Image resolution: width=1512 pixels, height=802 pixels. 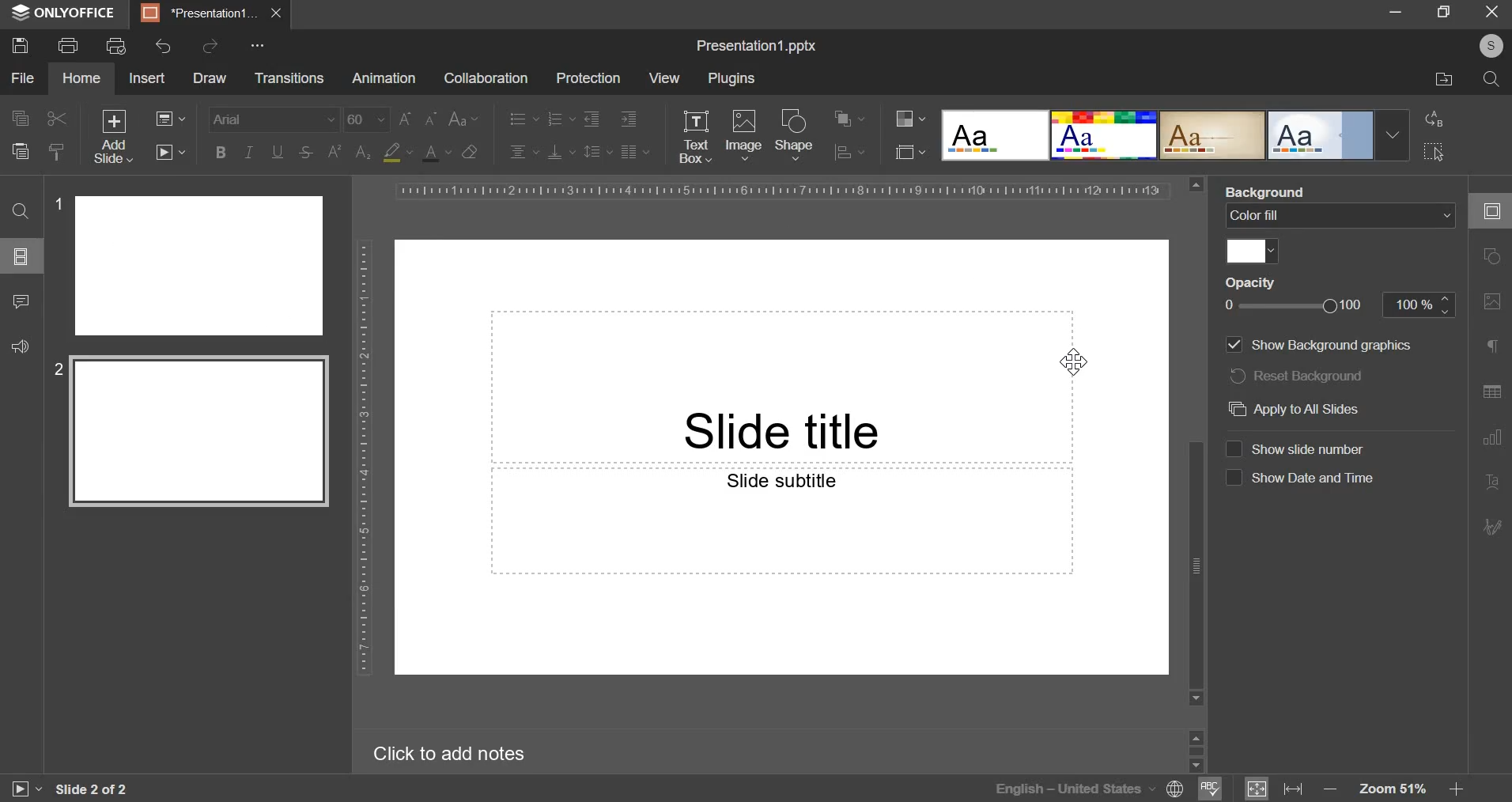 What do you see at coordinates (349, 151) in the screenshot?
I see `subscript & superscript` at bounding box center [349, 151].